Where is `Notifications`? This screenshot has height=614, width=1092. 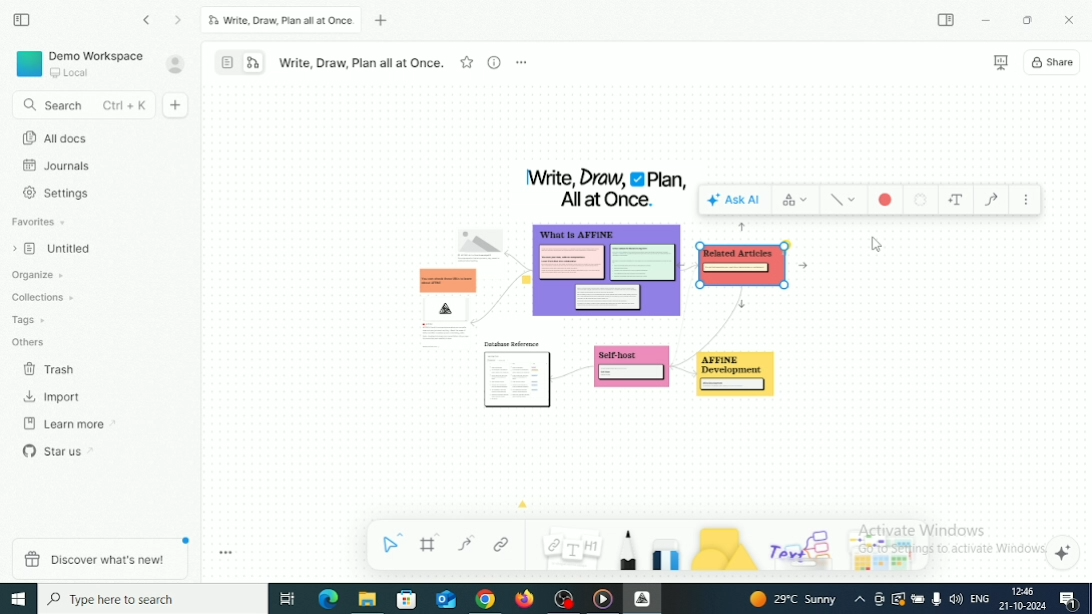
Notifications is located at coordinates (1067, 600).